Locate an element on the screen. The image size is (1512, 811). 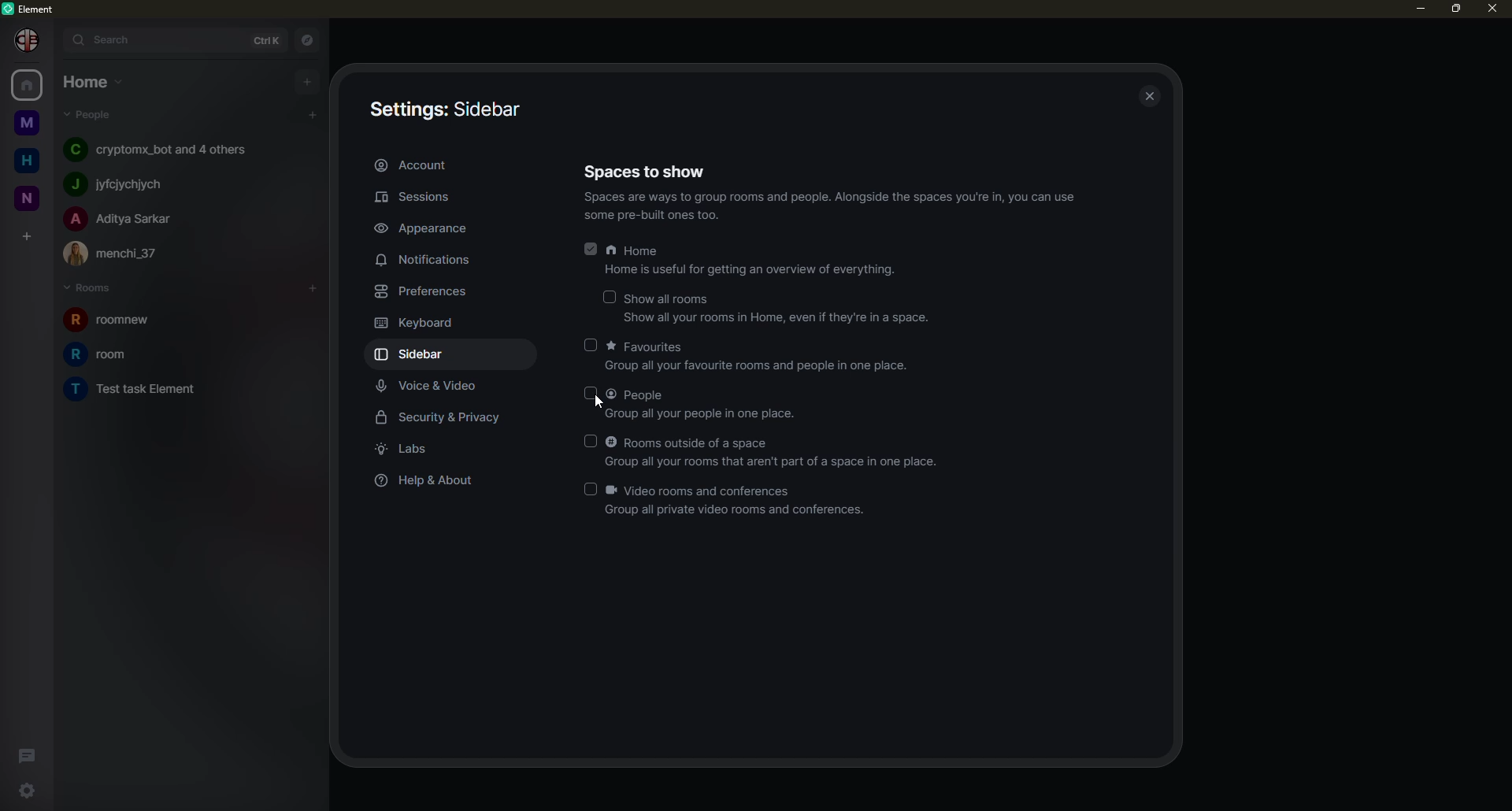
people is located at coordinates (123, 182).